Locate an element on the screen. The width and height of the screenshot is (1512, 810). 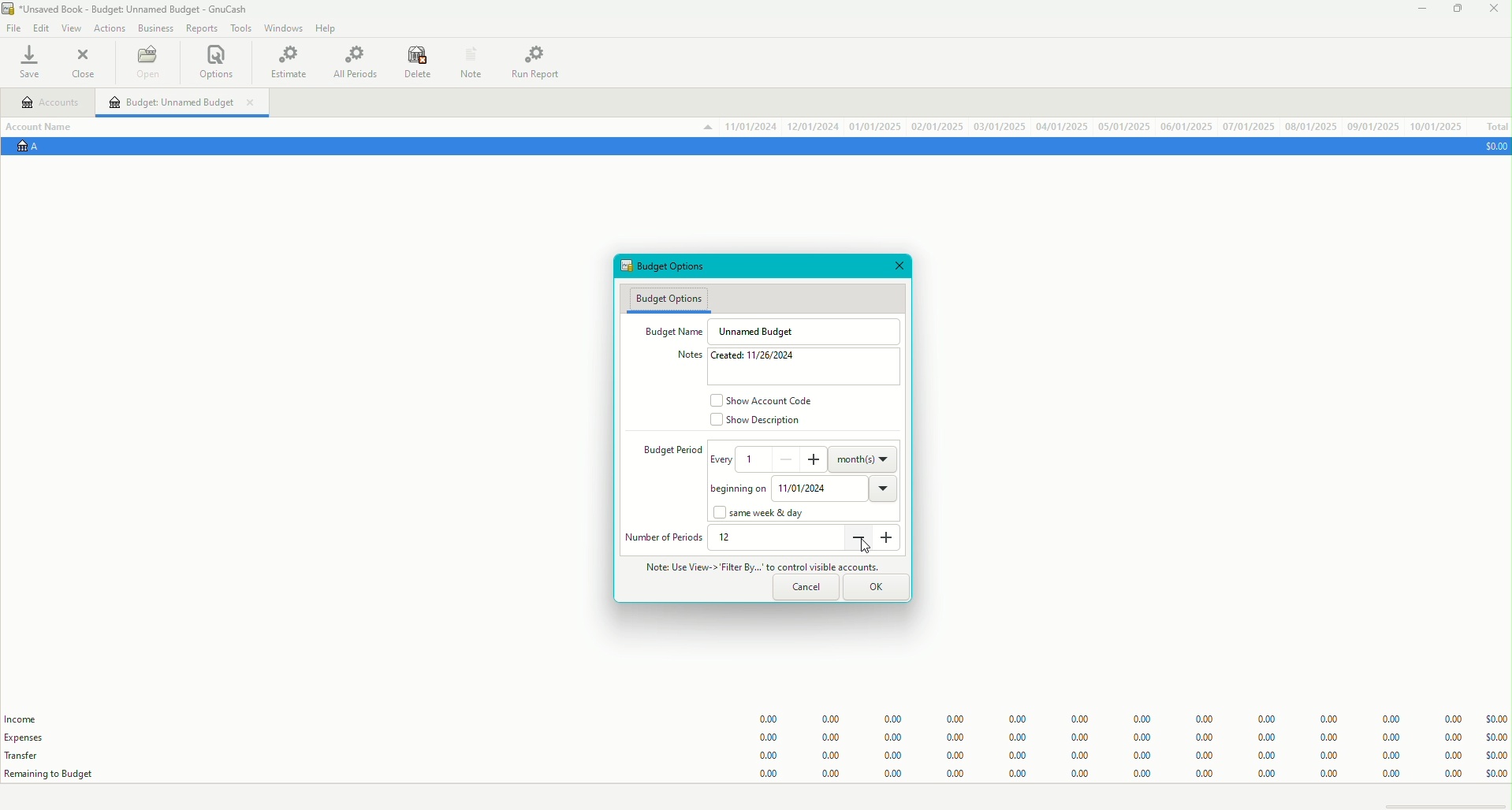
Close is located at coordinates (899, 267).